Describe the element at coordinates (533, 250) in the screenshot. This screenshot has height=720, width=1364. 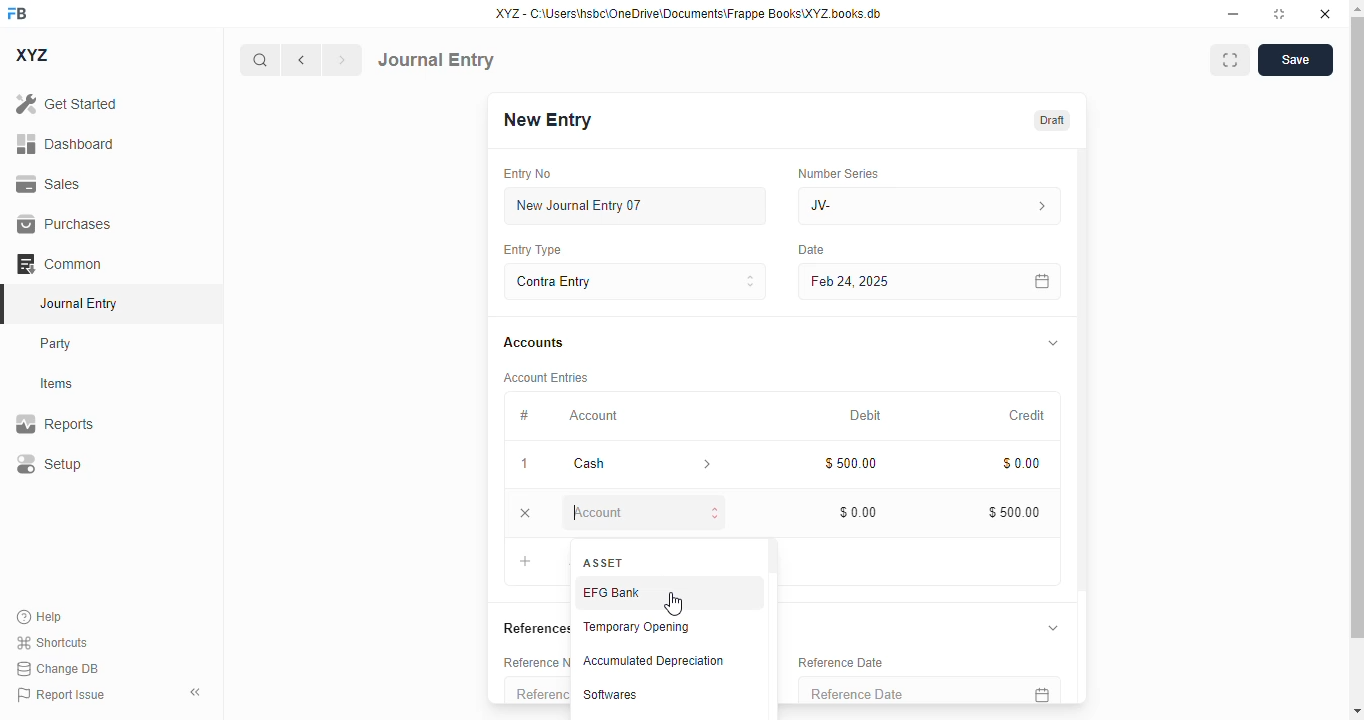
I see `entry type` at that location.